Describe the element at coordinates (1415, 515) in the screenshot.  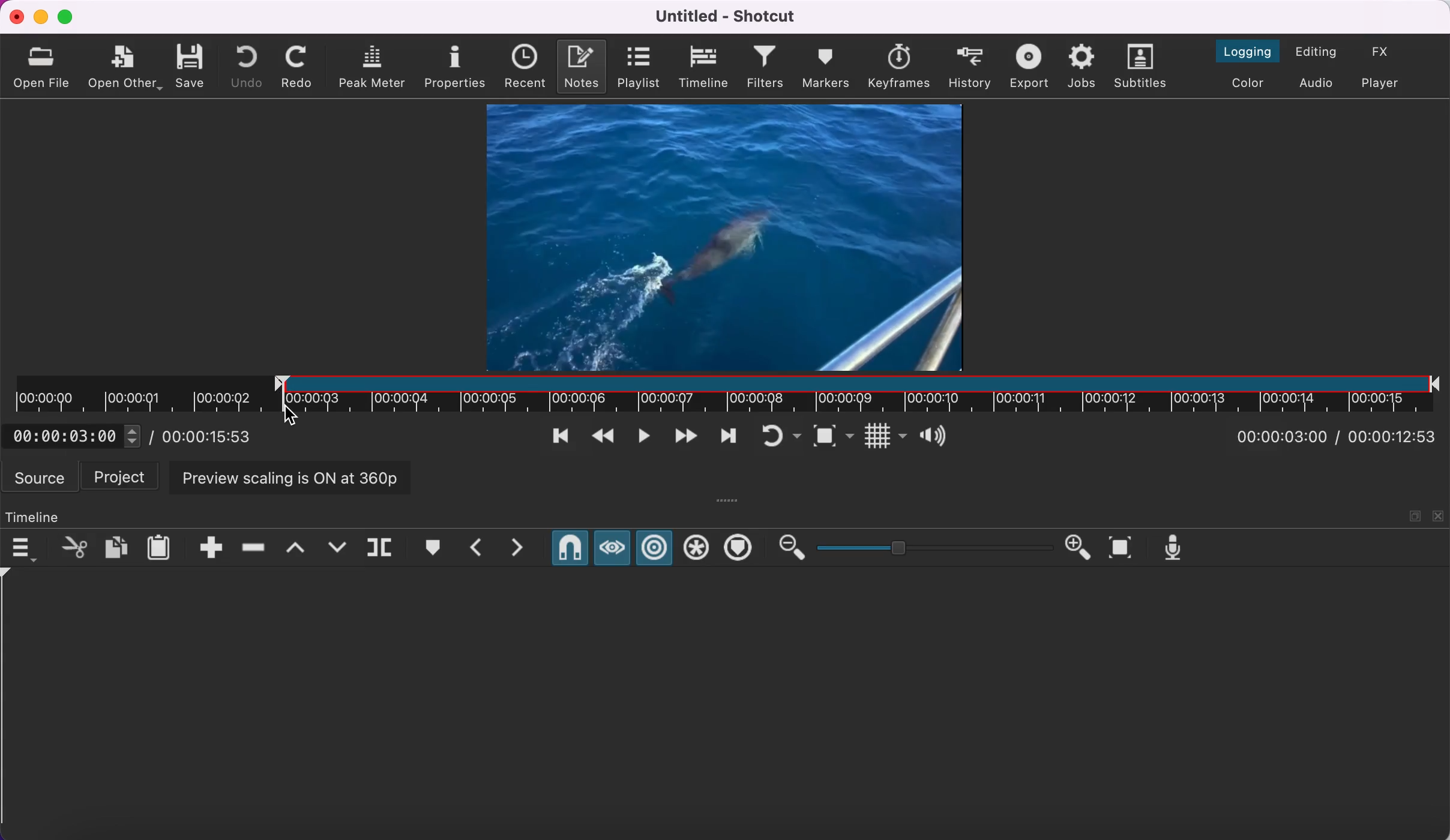
I see `maximize` at that location.